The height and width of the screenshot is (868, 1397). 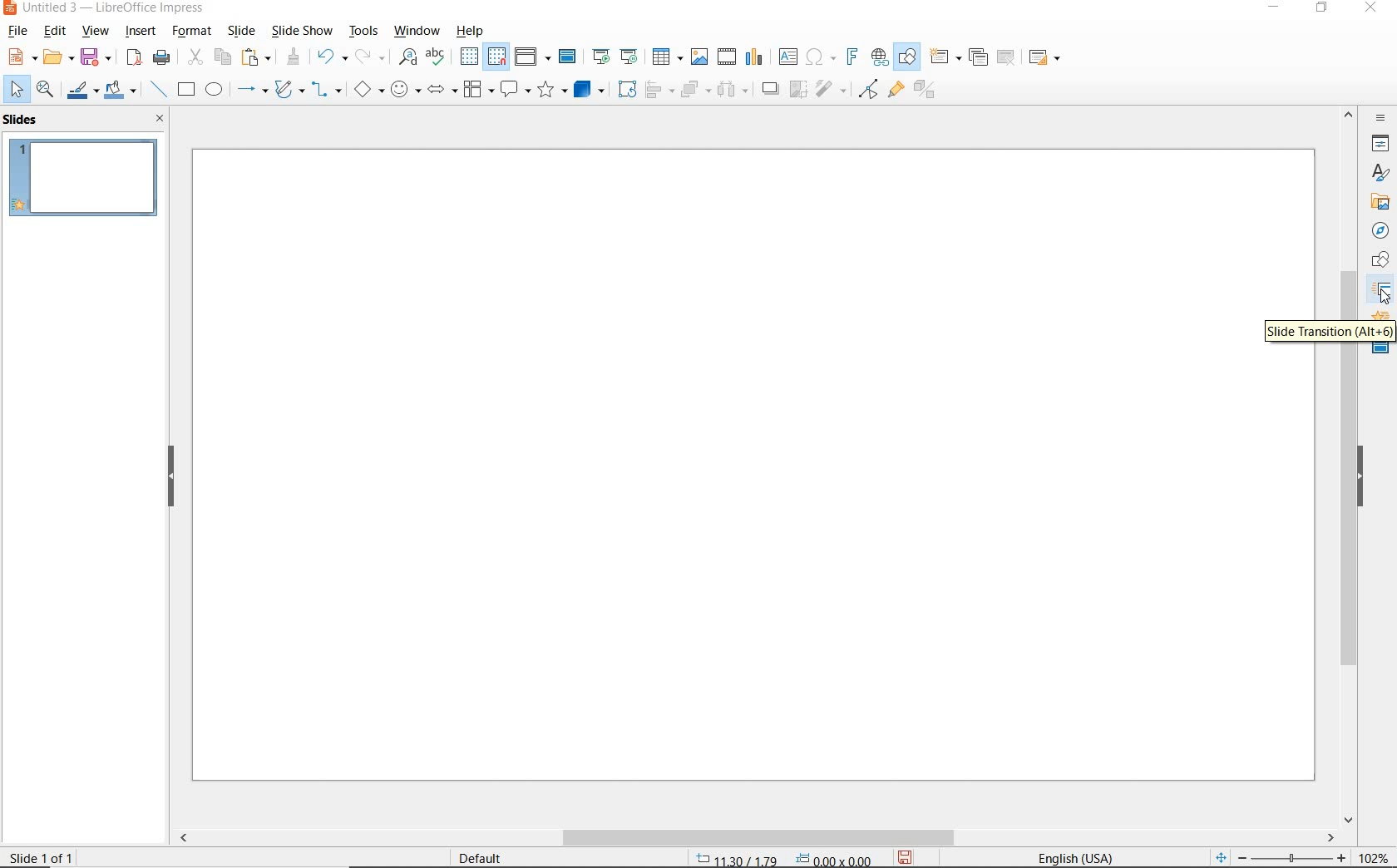 I want to click on FILL COLOR, so click(x=123, y=89).